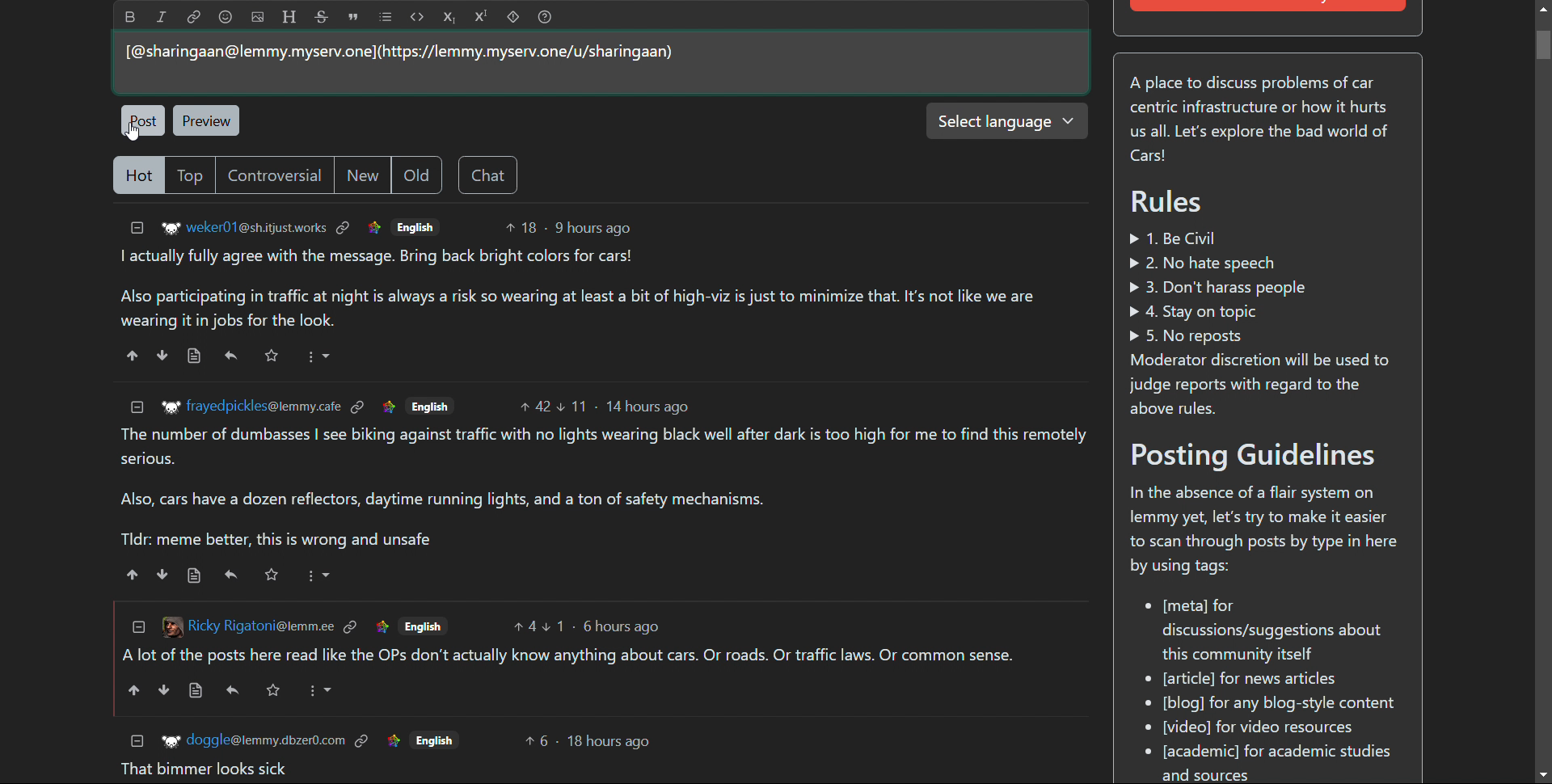 The image size is (1552, 784). Describe the element at coordinates (226, 17) in the screenshot. I see `emoji` at that location.